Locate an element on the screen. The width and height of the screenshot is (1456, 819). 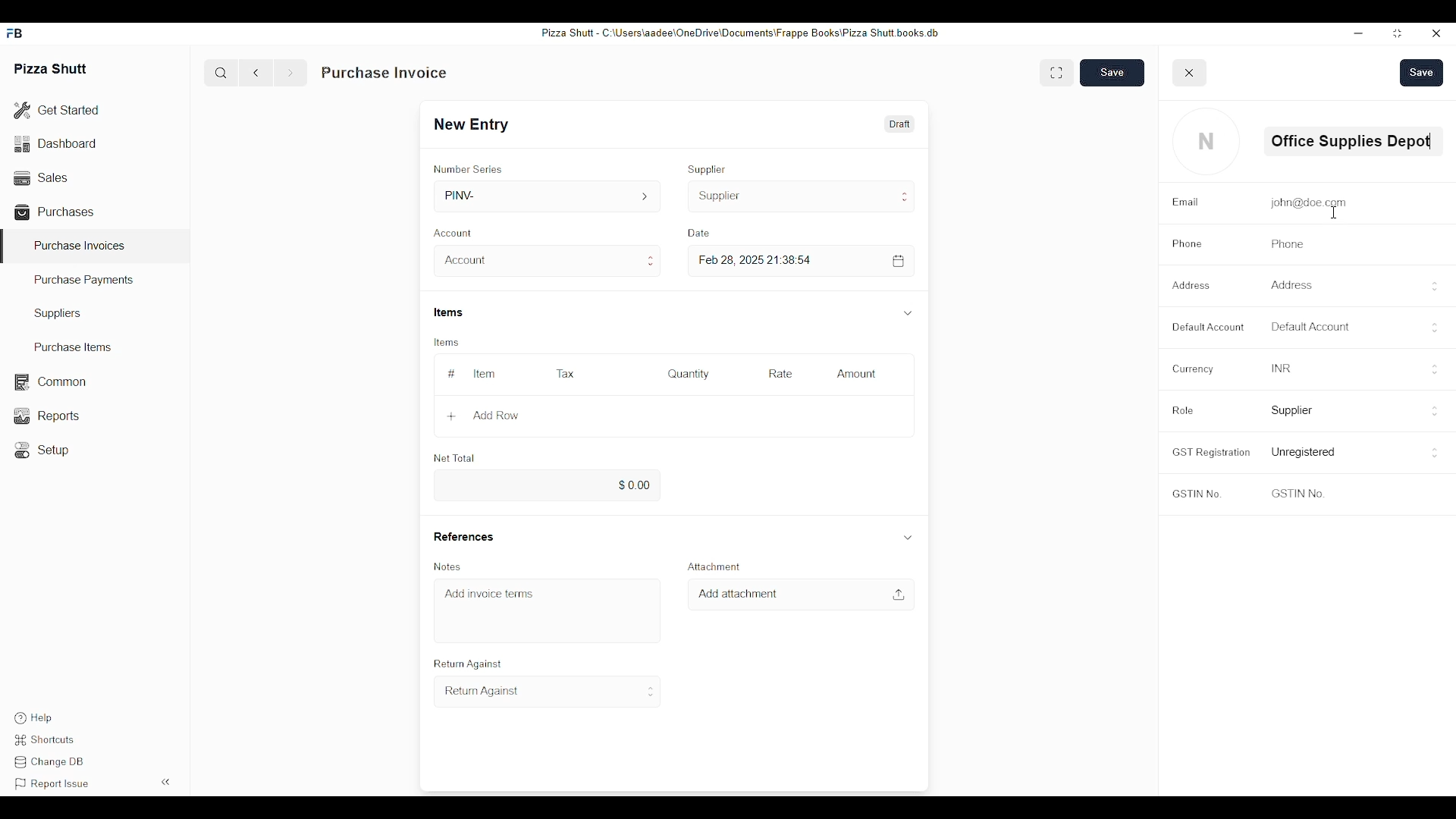
Address is located at coordinates (1194, 284).